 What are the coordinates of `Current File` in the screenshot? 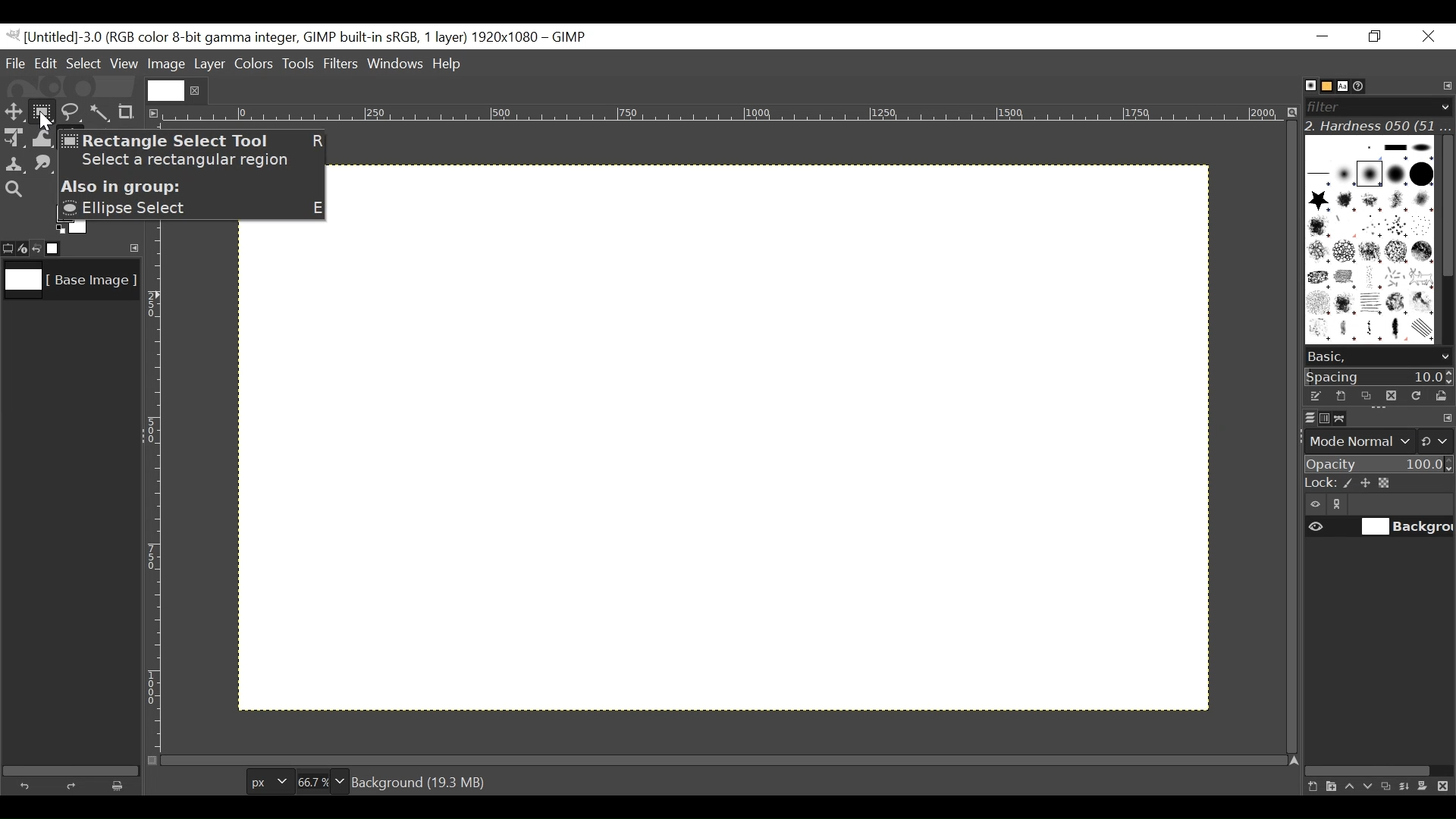 It's located at (166, 90).